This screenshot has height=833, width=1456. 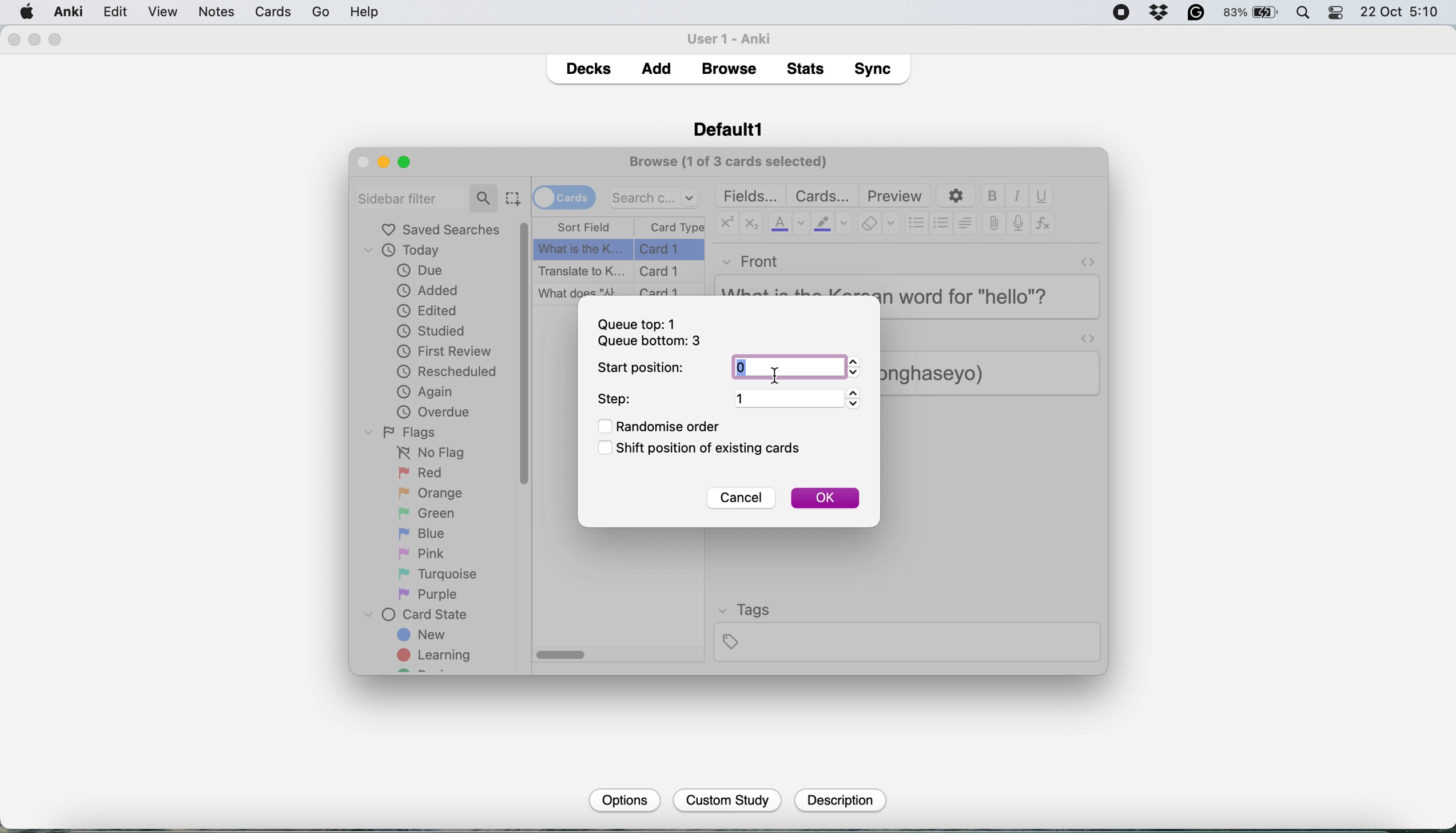 What do you see at coordinates (707, 450) in the screenshot?
I see `shift position of existing cards` at bounding box center [707, 450].